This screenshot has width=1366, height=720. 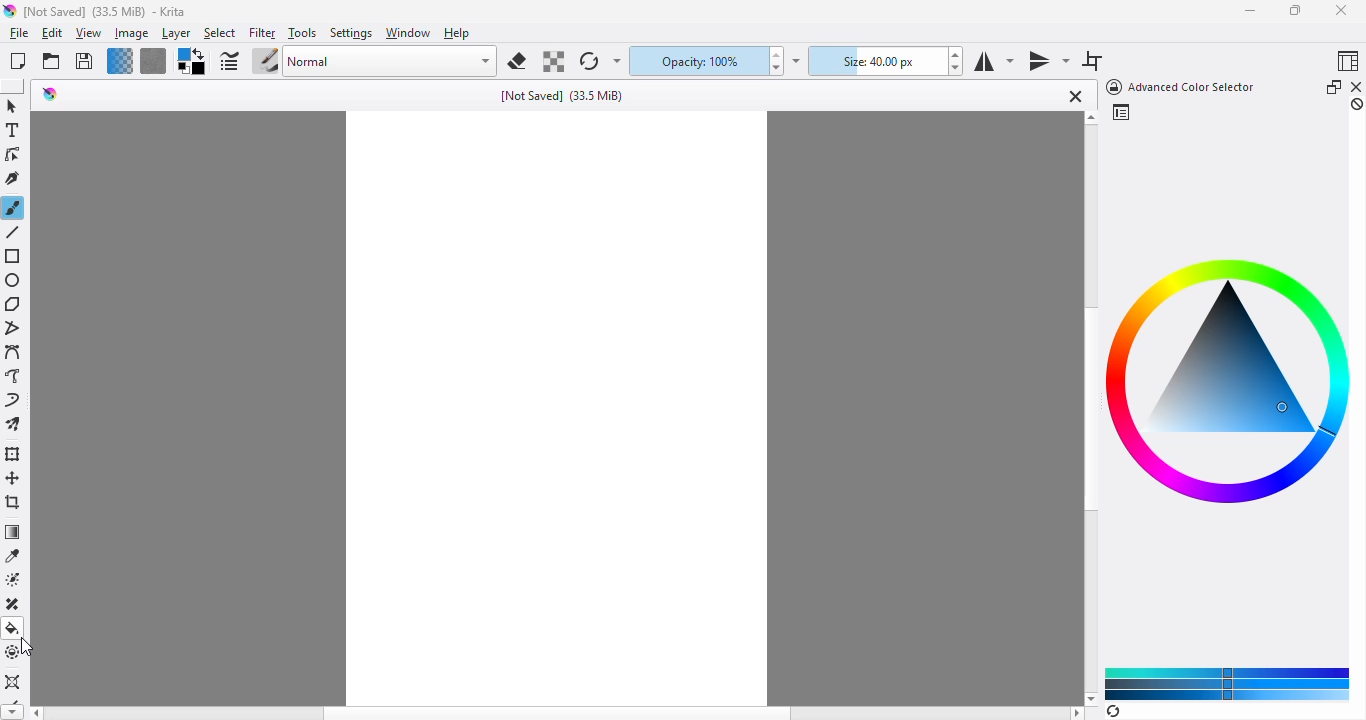 I want to click on choose brush preset, so click(x=265, y=60).